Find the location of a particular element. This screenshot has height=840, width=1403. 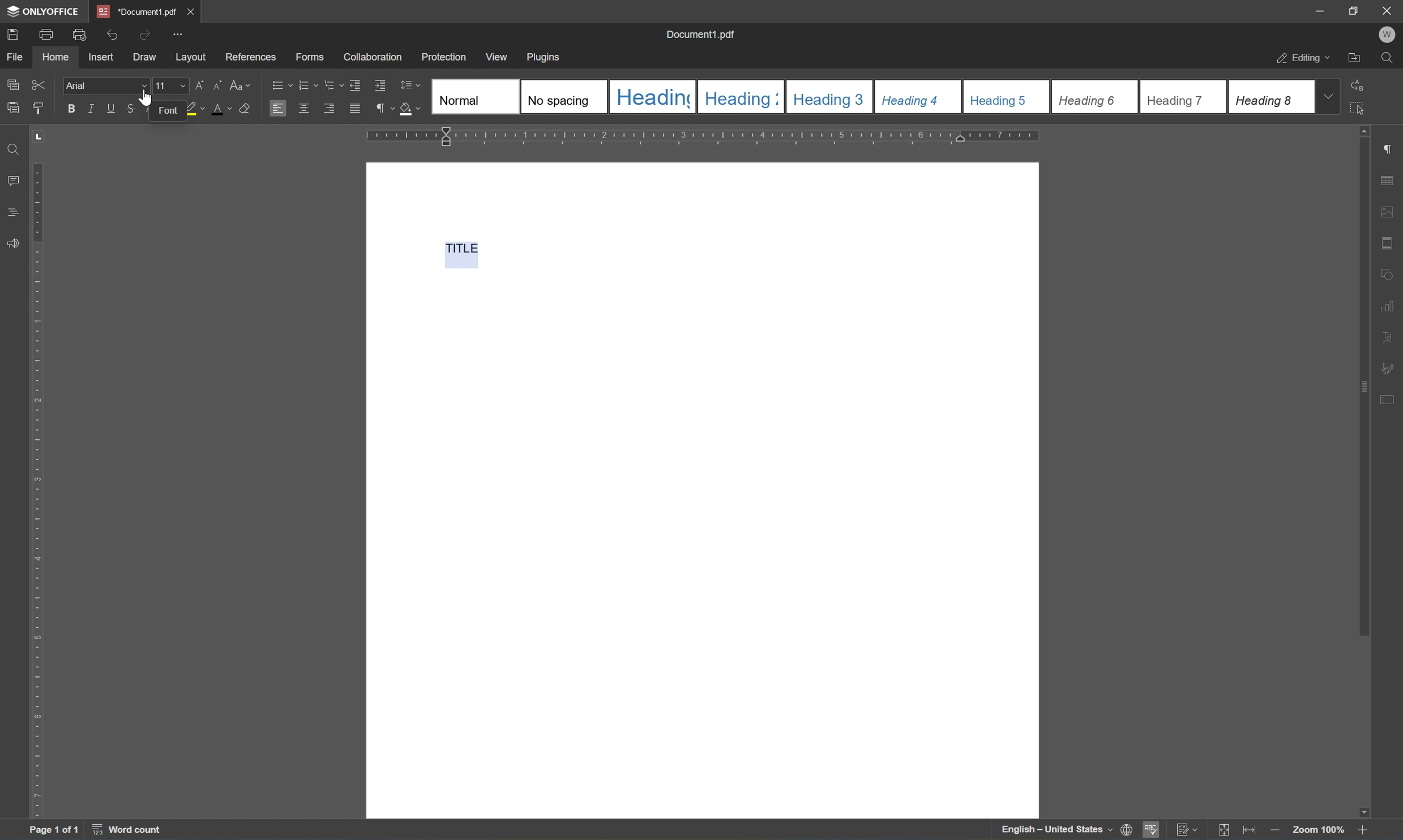

ruler is located at coordinates (36, 488).